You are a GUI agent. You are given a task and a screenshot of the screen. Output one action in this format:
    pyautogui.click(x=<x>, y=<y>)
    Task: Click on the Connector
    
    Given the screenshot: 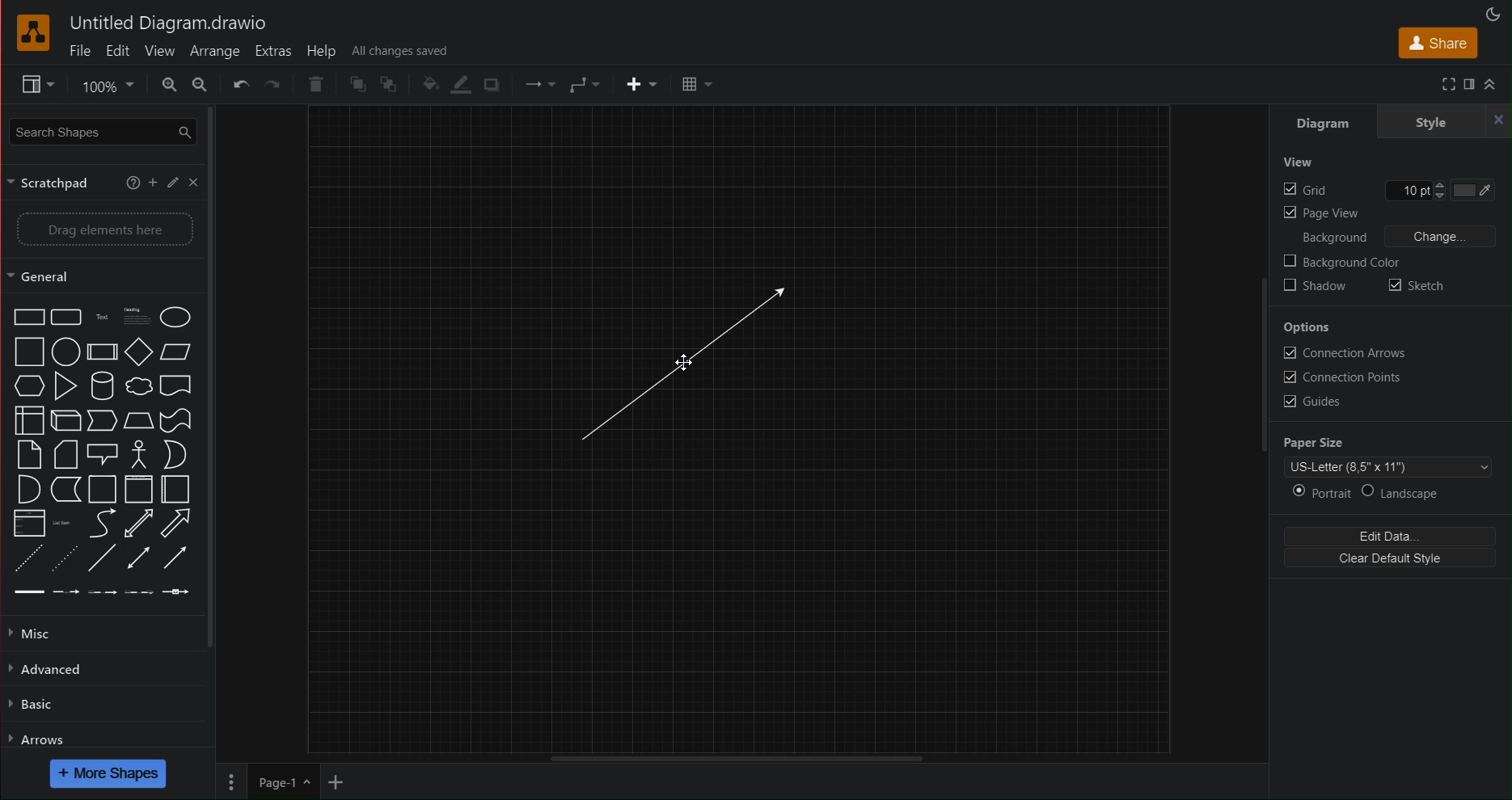 What is the action you would take?
    pyautogui.click(x=585, y=85)
    